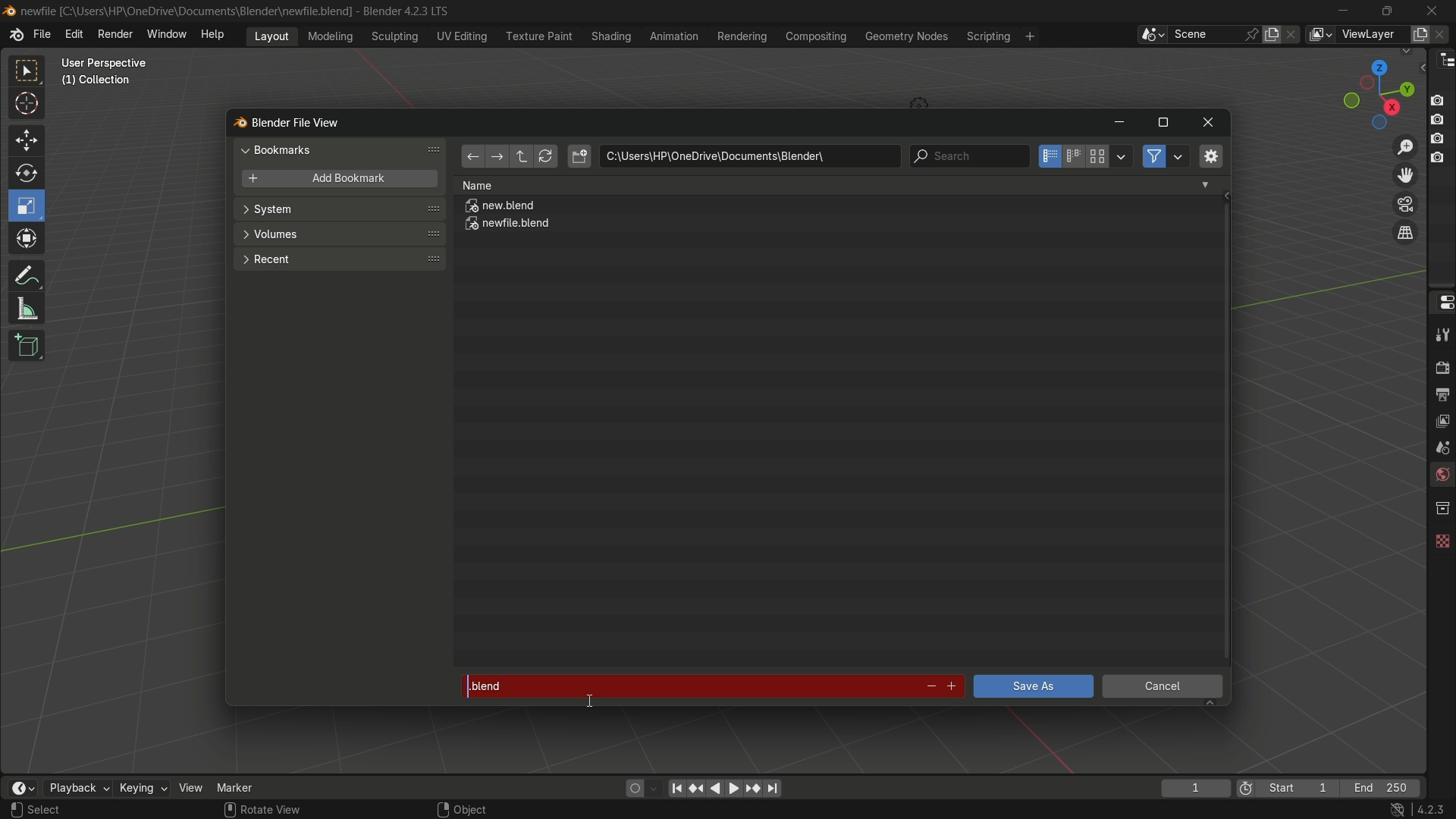  Describe the element at coordinates (1205, 33) in the screenshot. I see `scene name` at that location.